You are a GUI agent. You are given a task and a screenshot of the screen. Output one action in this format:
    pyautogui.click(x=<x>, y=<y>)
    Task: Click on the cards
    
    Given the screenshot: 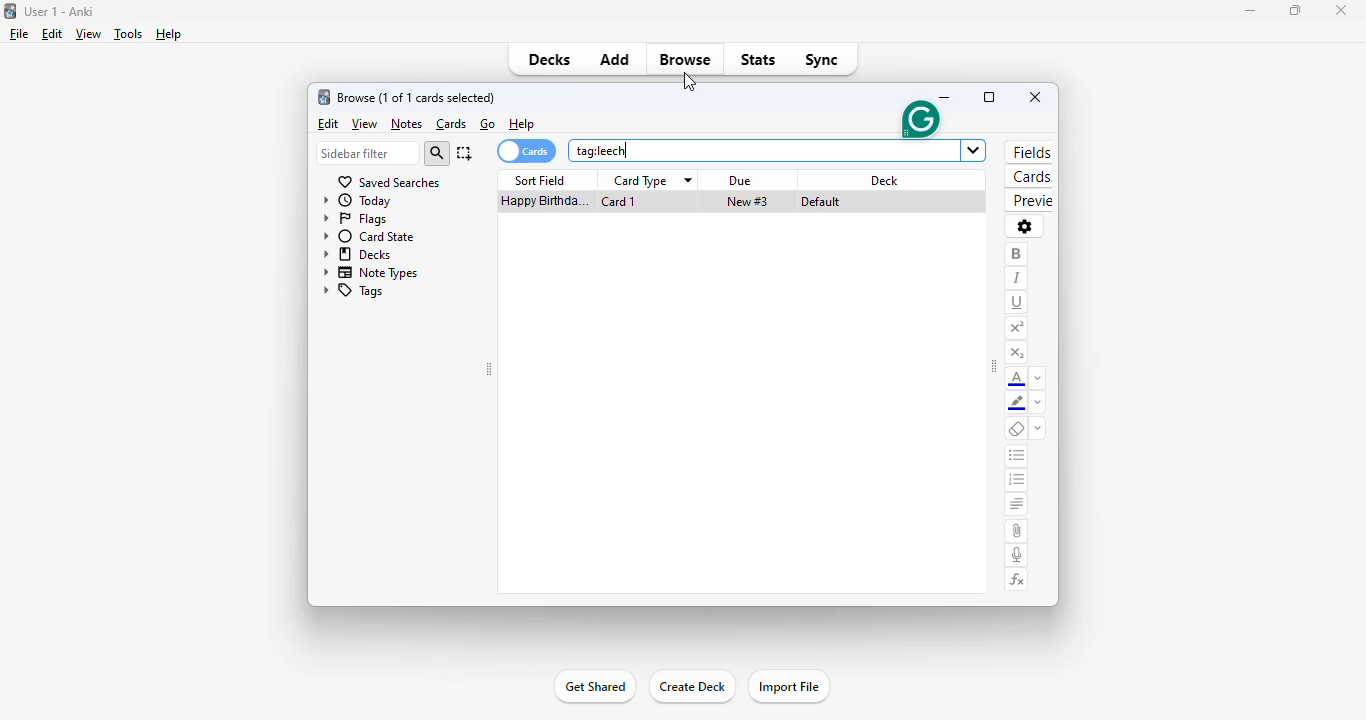 What is the action you would take?
    pyautogui.click(x=1028, y=176)
    